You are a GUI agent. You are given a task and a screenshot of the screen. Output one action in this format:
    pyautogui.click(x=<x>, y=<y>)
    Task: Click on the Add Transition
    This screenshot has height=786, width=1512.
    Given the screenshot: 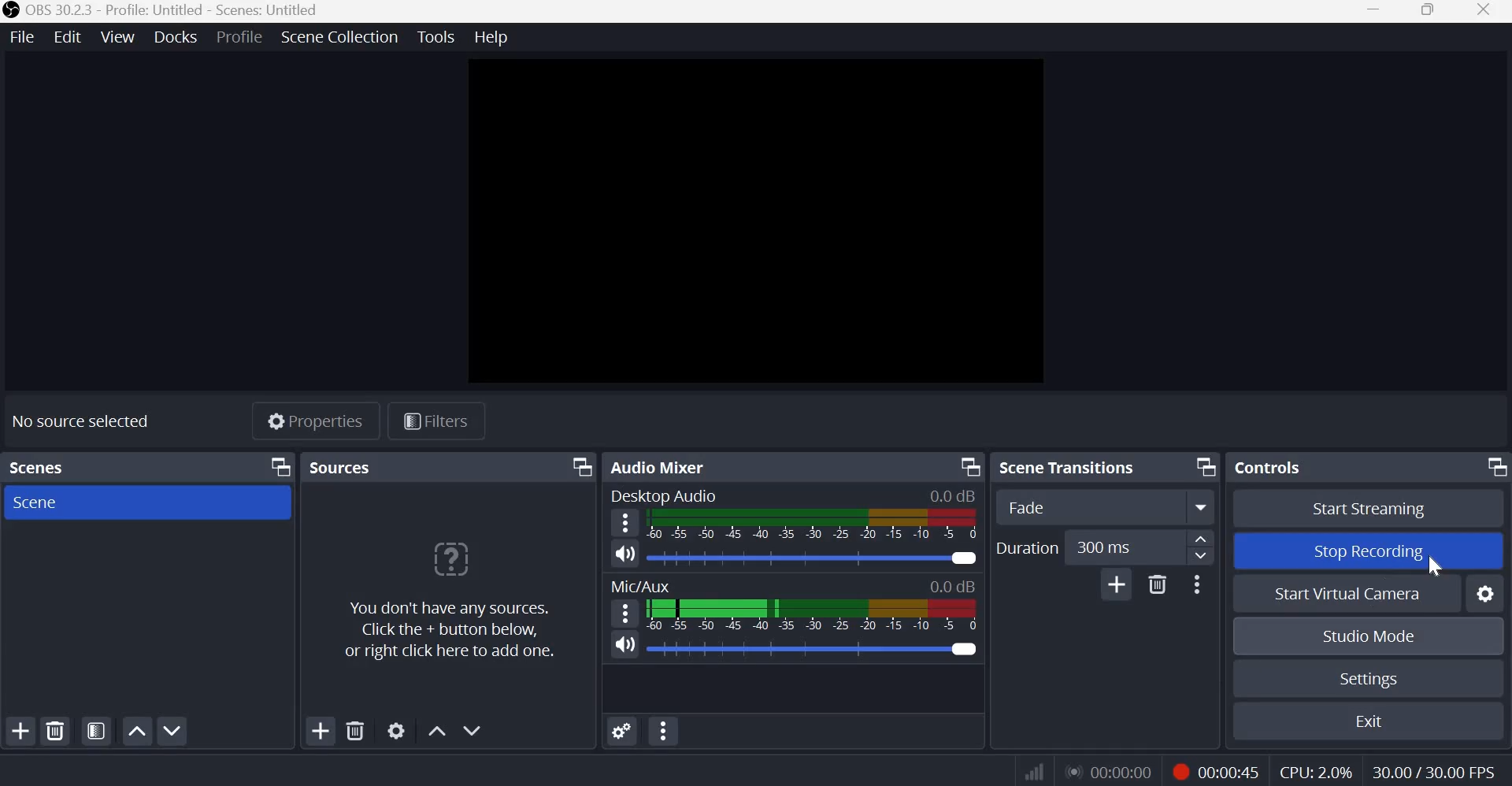 What is the action you would take?
    pyautogui.click(x=1118, y=584)
    